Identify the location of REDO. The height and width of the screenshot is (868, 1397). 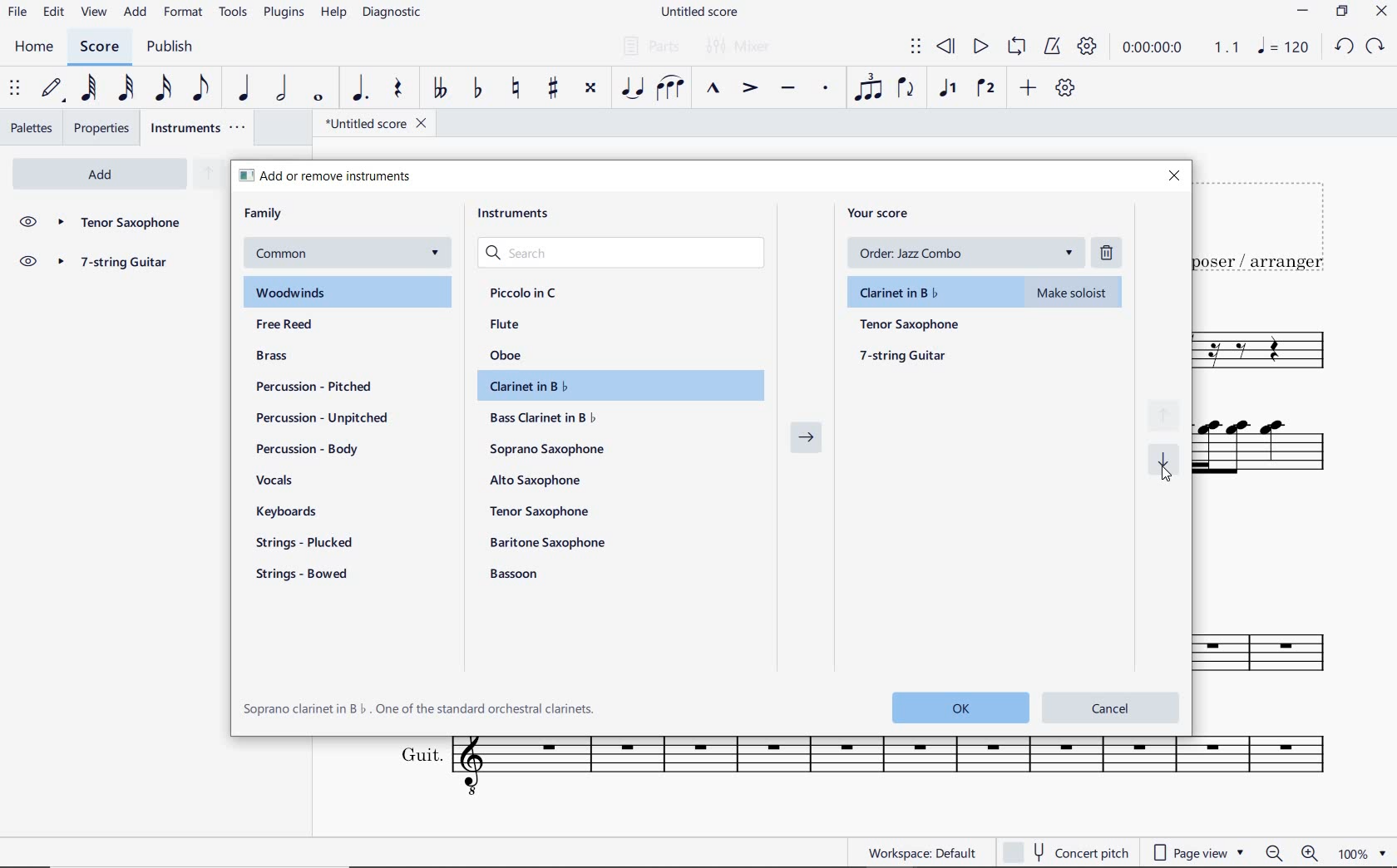
(1374, 47).